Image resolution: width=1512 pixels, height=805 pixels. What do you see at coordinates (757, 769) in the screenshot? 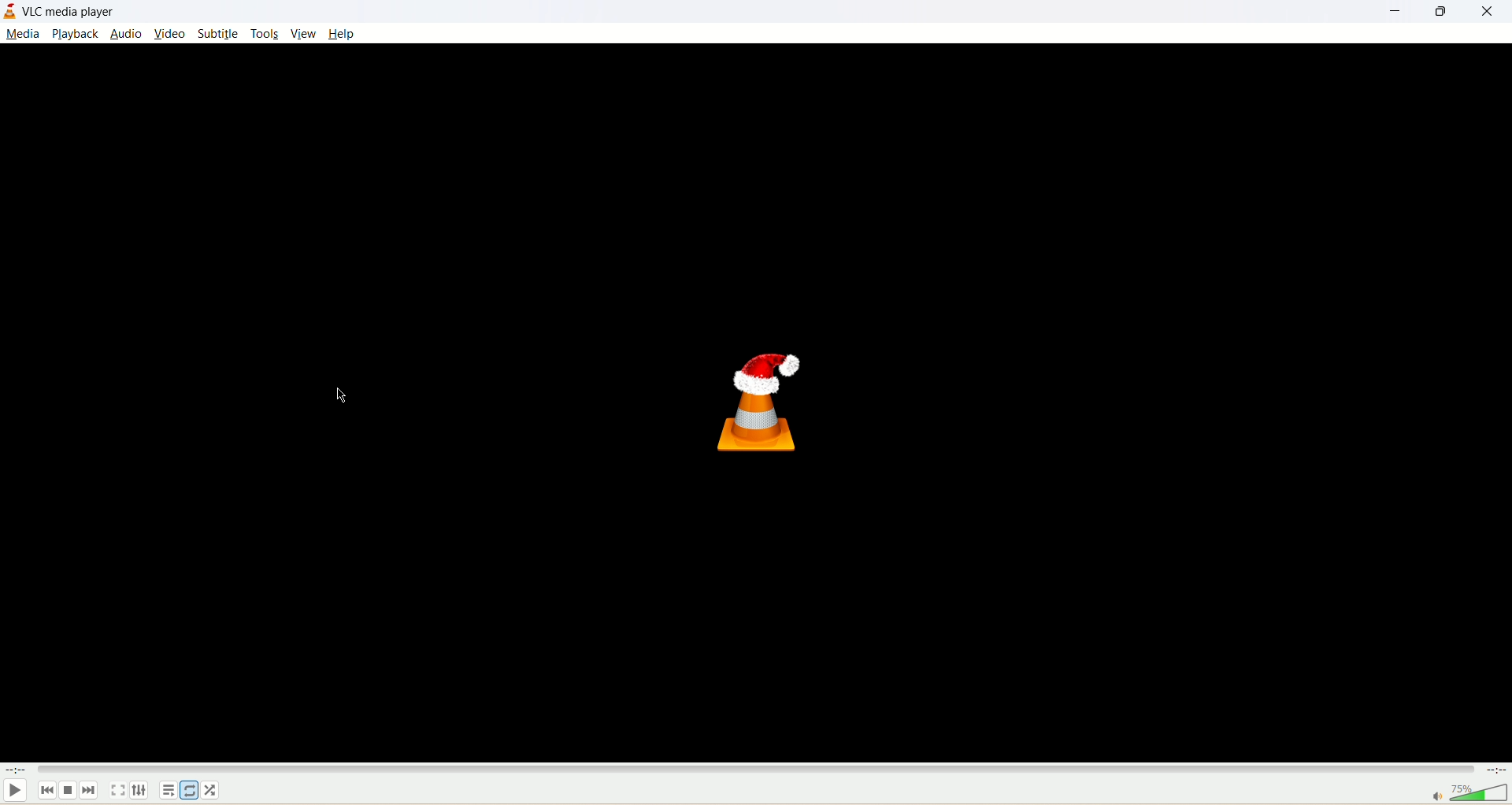
I see `progress bar` at bounding box center [757, 769].